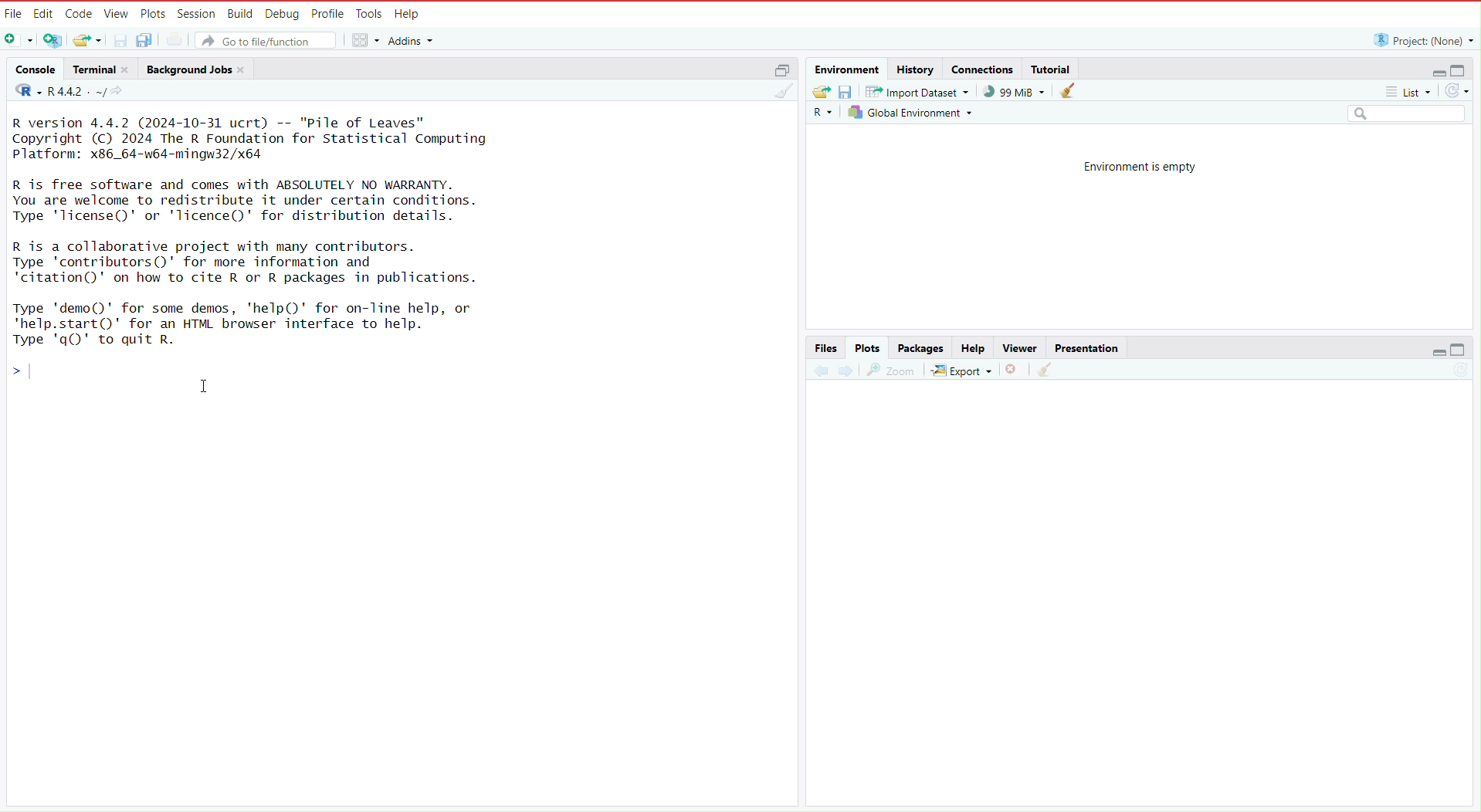 This screenshot has width=1481, height=812. Describe the element at coordinates (253, 199) in the screenshot. I see `R is free software and comes with ABSOLUTELY NO WARRANTY.
You are welcome to redistribute it under certain conditions.
Type 'license()' or 'Ticence()' for distribution details.` at that location.